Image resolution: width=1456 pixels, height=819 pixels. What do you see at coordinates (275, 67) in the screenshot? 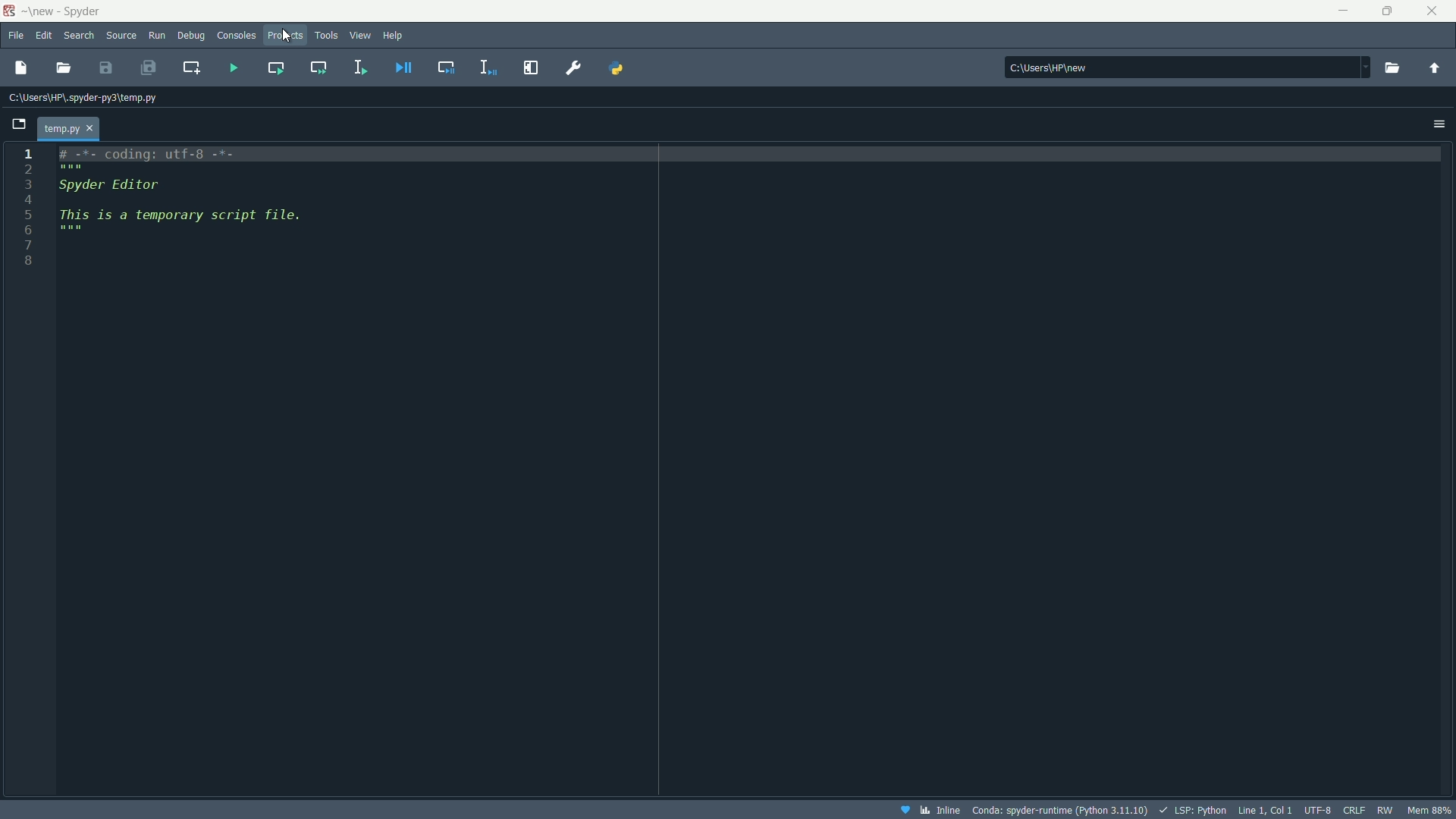
I see `Run current cell` at bounding box center [275, 67].